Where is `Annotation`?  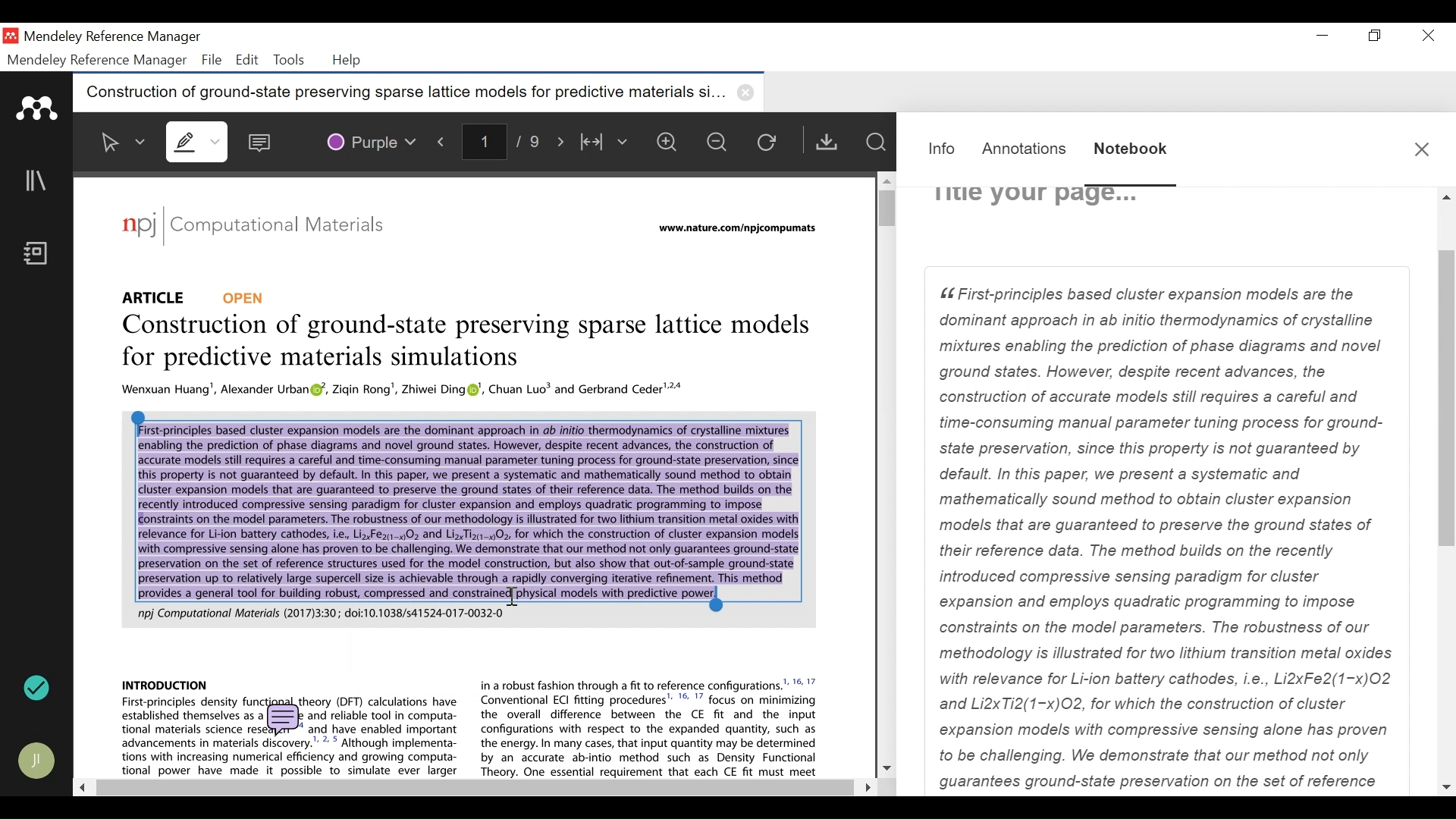
Annotation is located at coordinates (1027, 149).